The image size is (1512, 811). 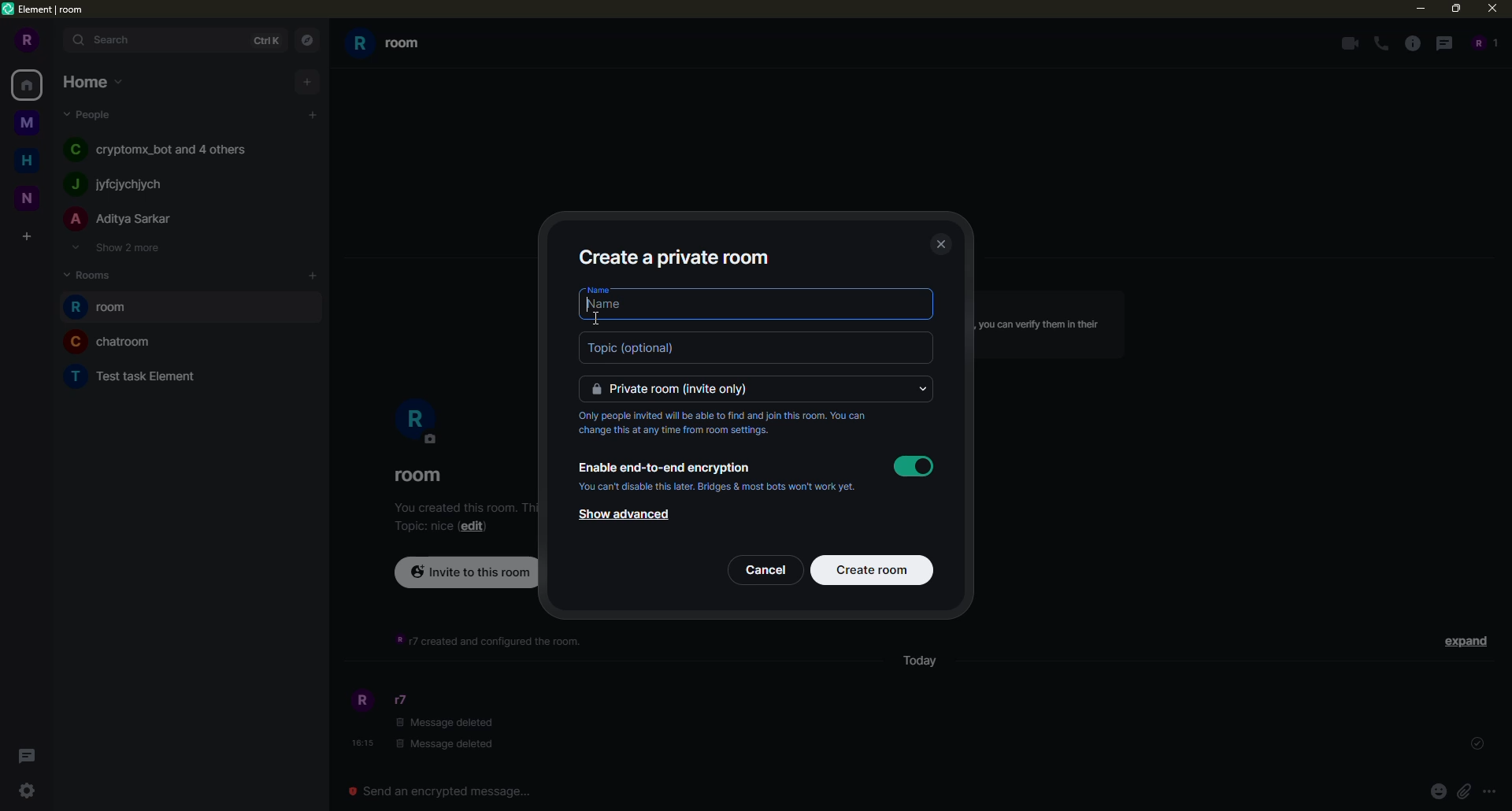 I want to click on profile, so click(x=29, y=39).